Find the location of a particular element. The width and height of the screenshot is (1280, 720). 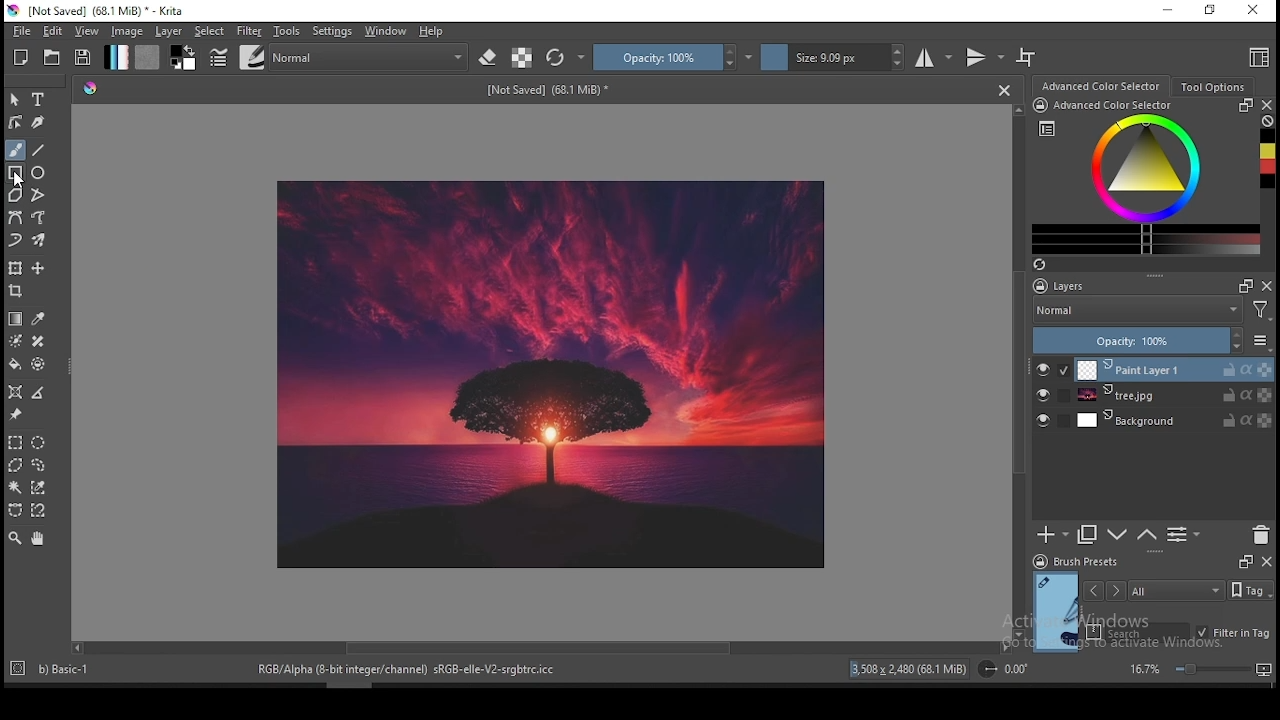

edit is located at coordinates (52, 31).